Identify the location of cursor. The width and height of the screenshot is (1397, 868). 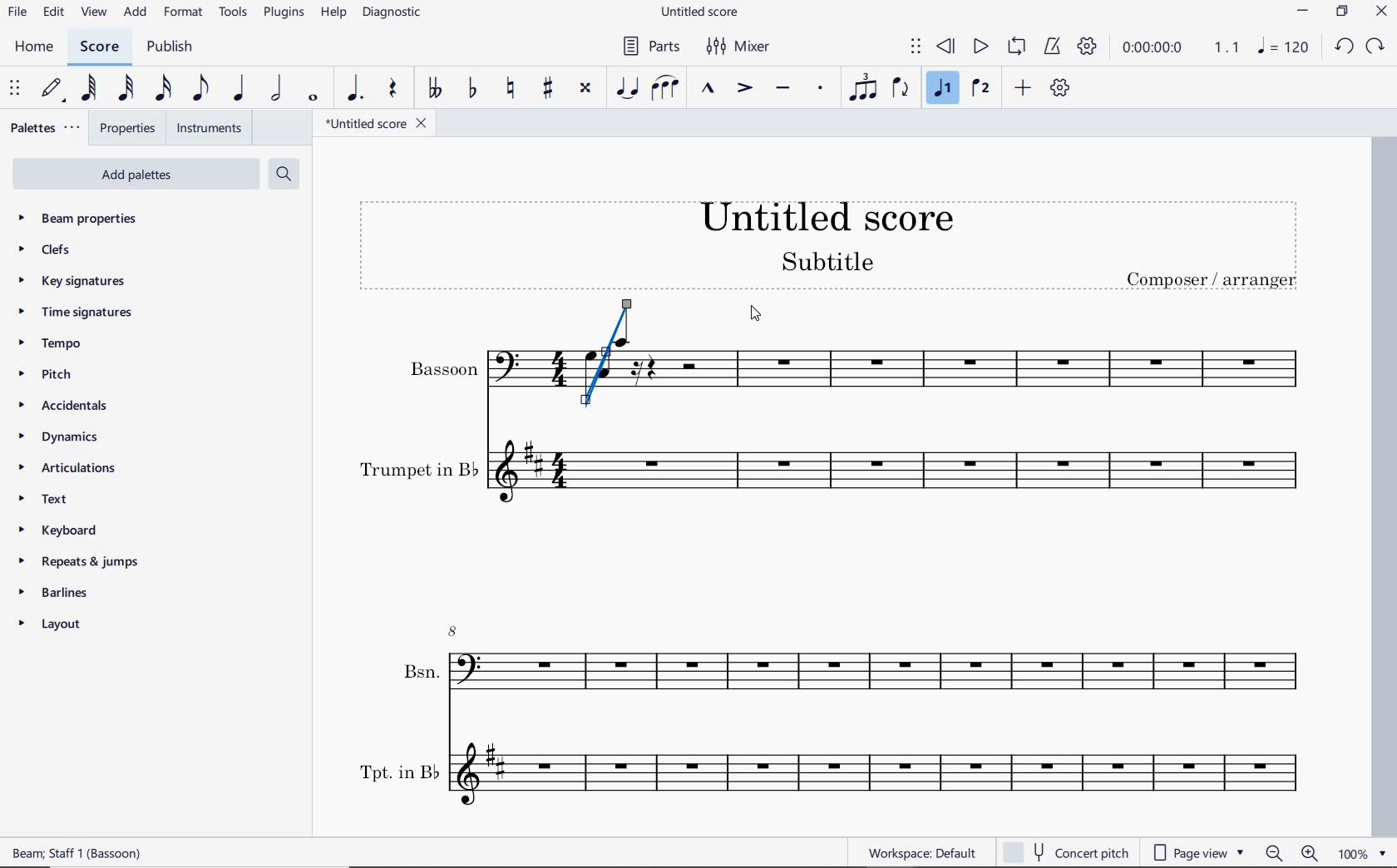
(753, 313).